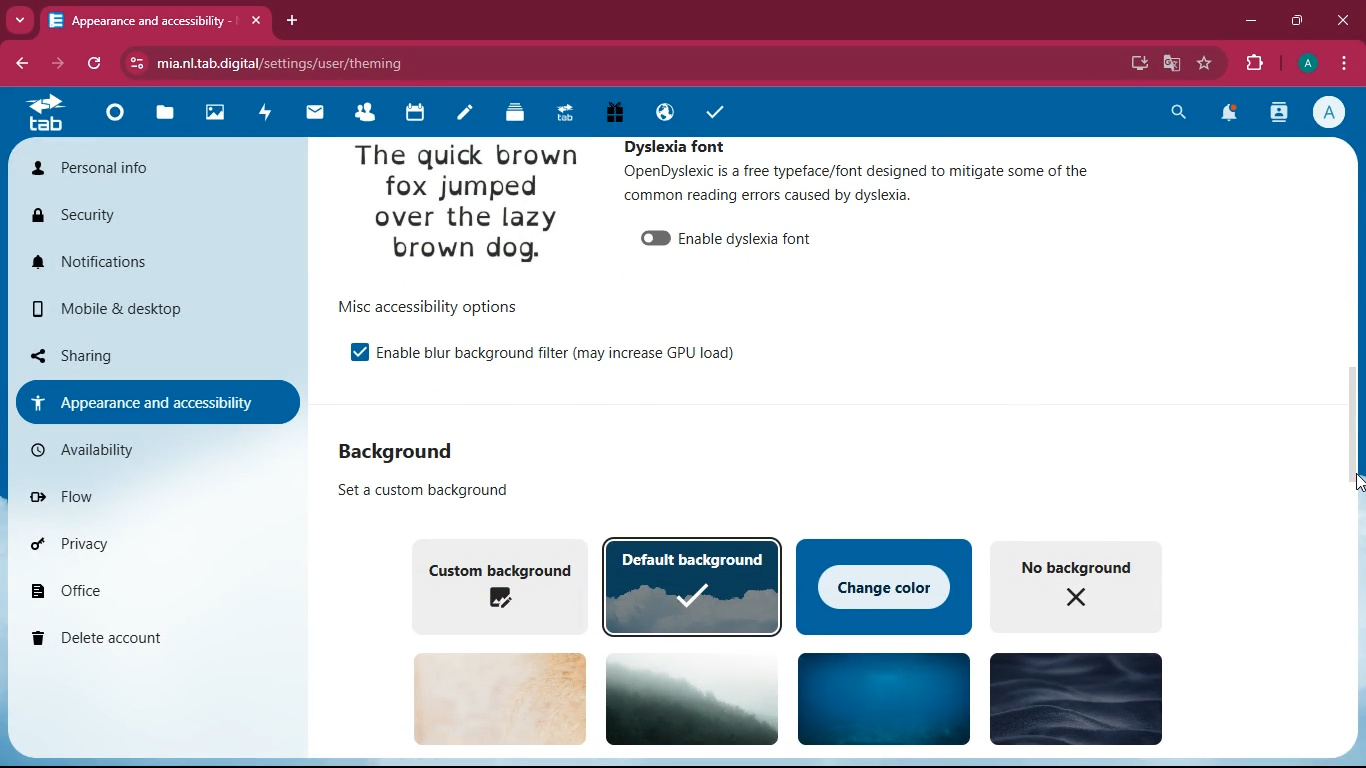  Describe the element at coordinates (125, 309) in the screenshot. I see `mobile & desktop` at that location.